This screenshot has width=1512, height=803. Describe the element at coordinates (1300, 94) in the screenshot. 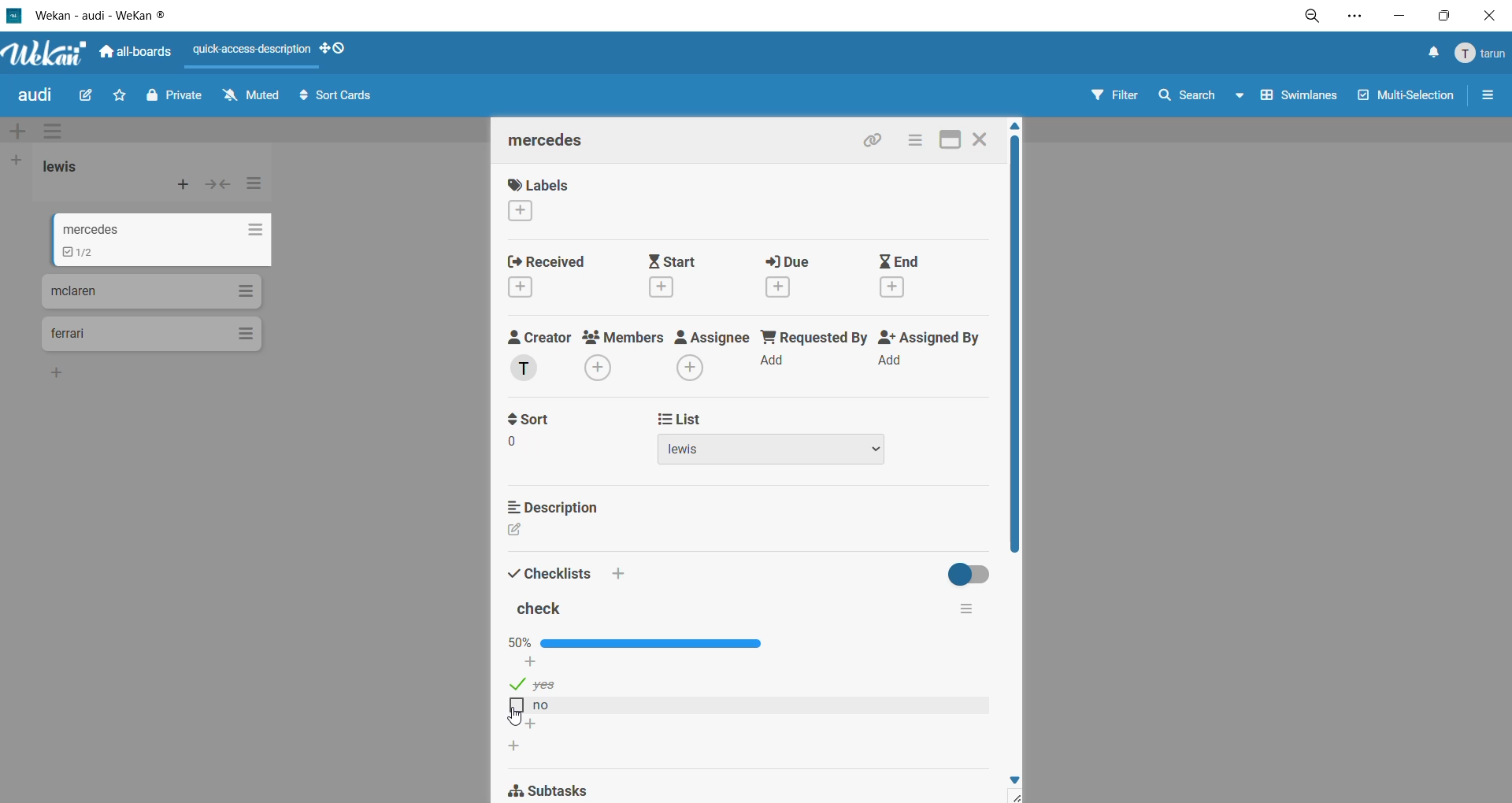

I see `swimlanes` at that location.